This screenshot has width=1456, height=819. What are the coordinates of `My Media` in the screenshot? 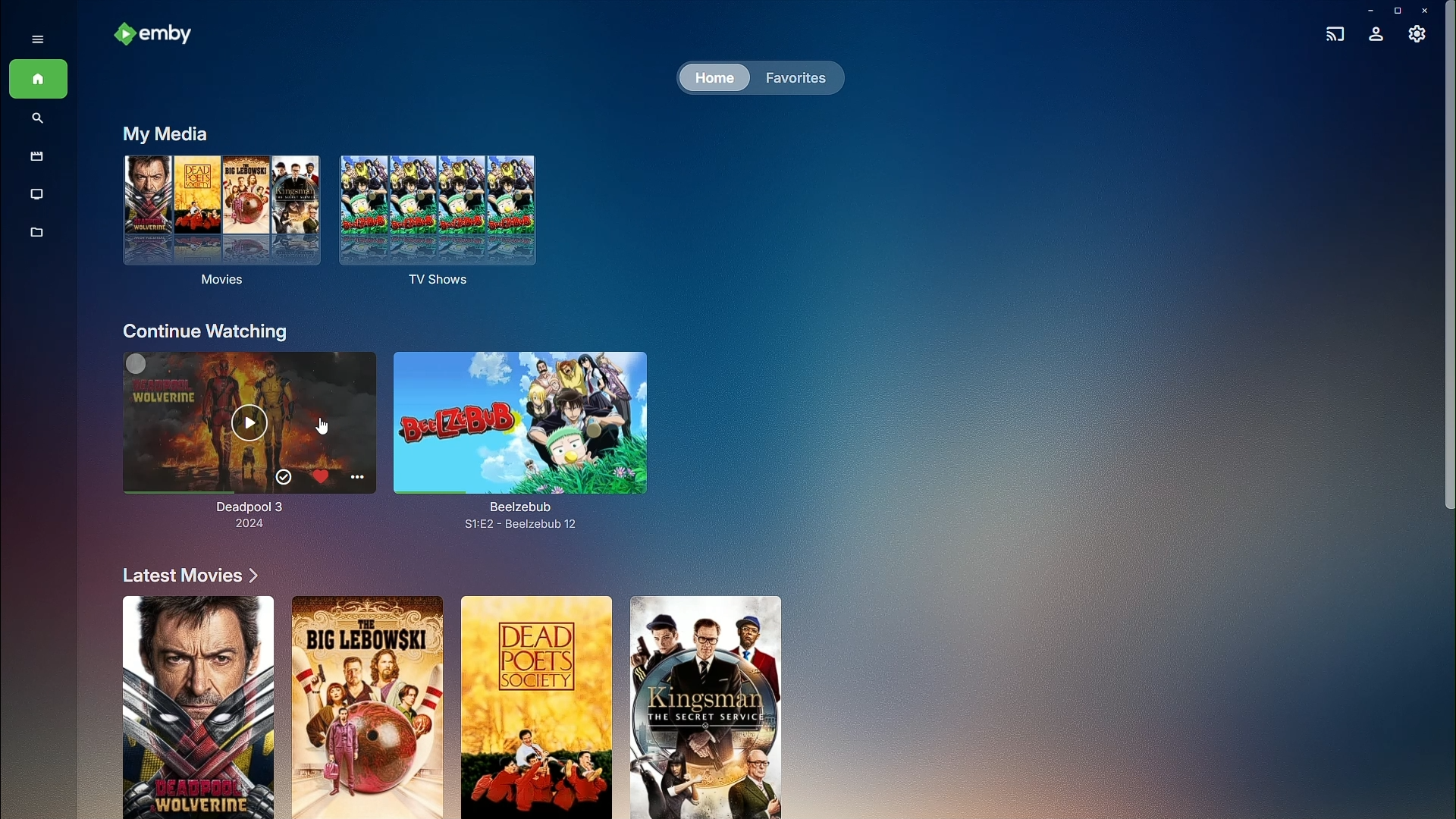 It's located at (162, 133).